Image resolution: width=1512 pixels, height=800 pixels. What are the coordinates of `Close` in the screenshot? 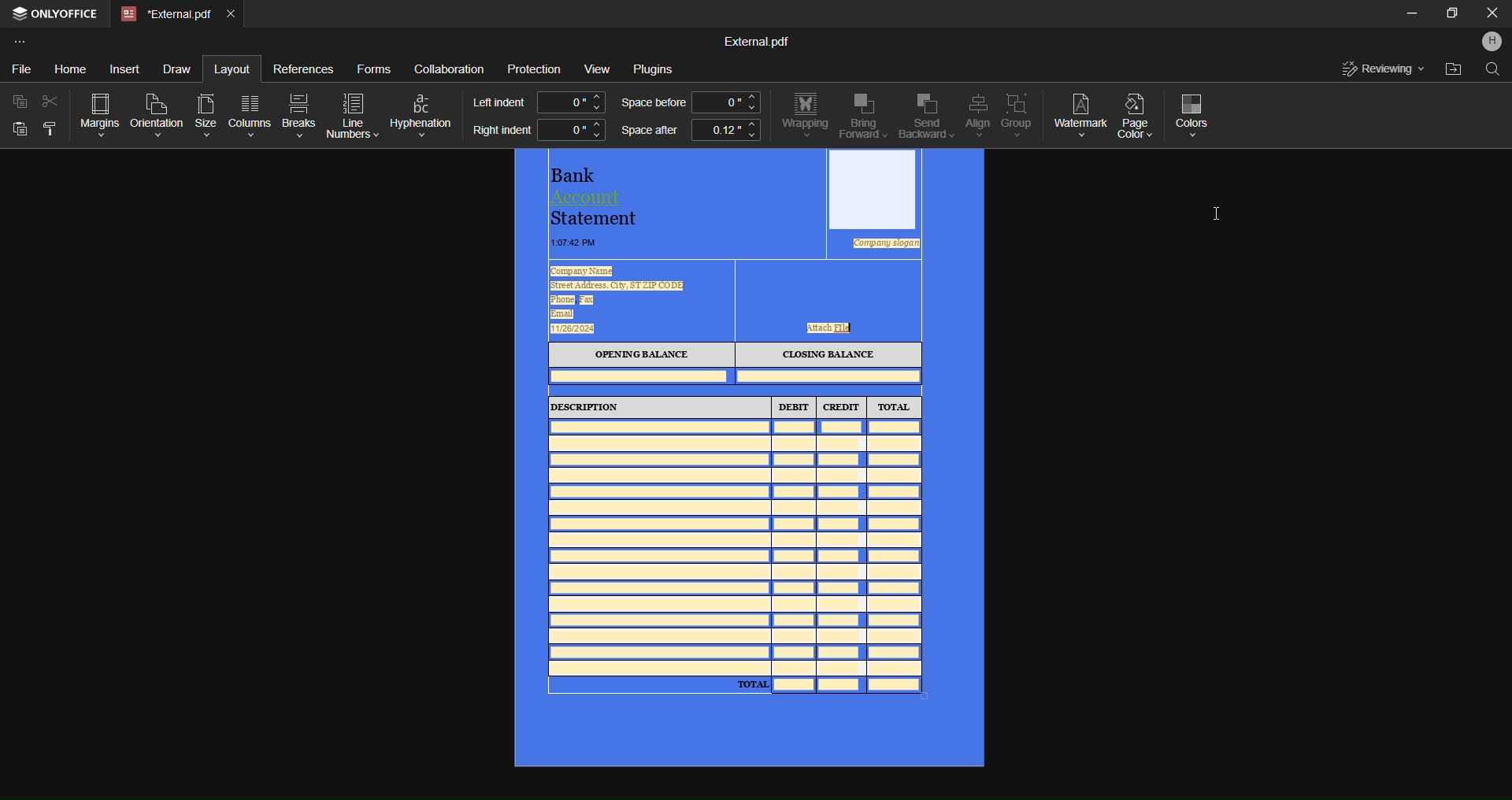 It's located at (1492, 15).